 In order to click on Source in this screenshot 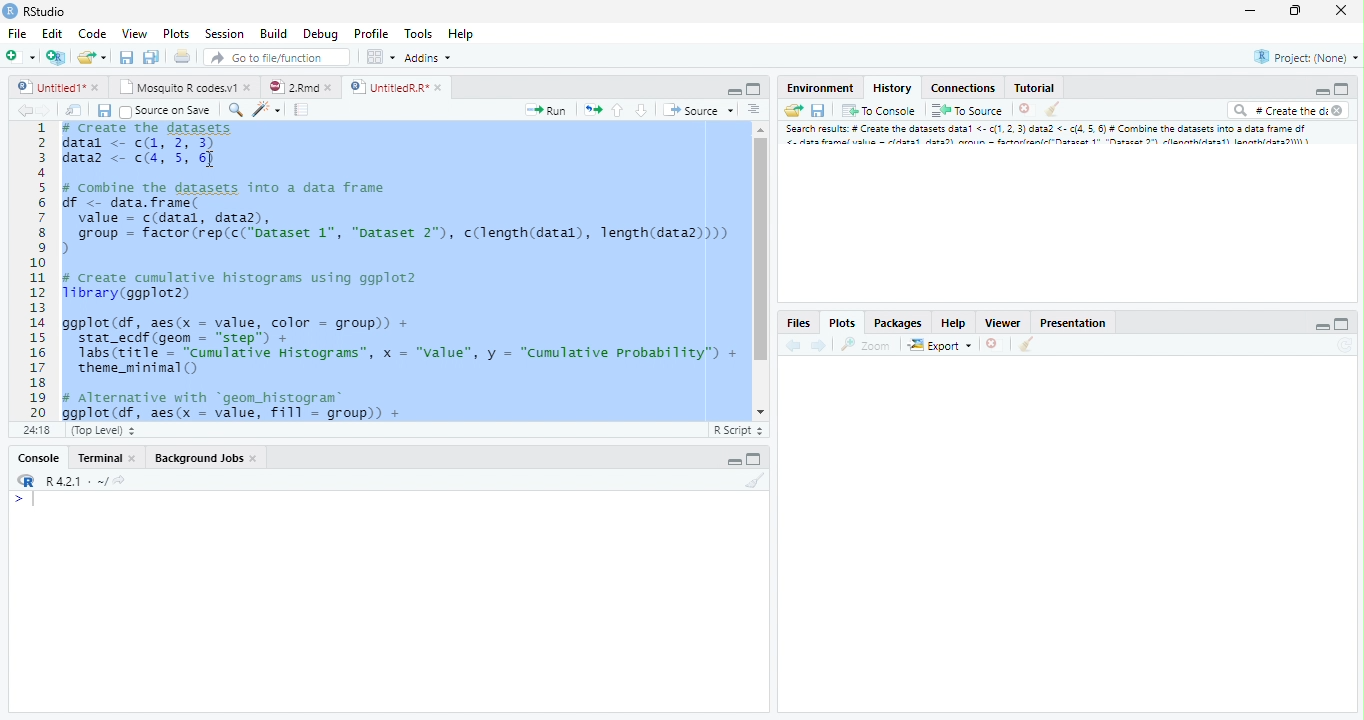, I will do `click(698, 112)`.